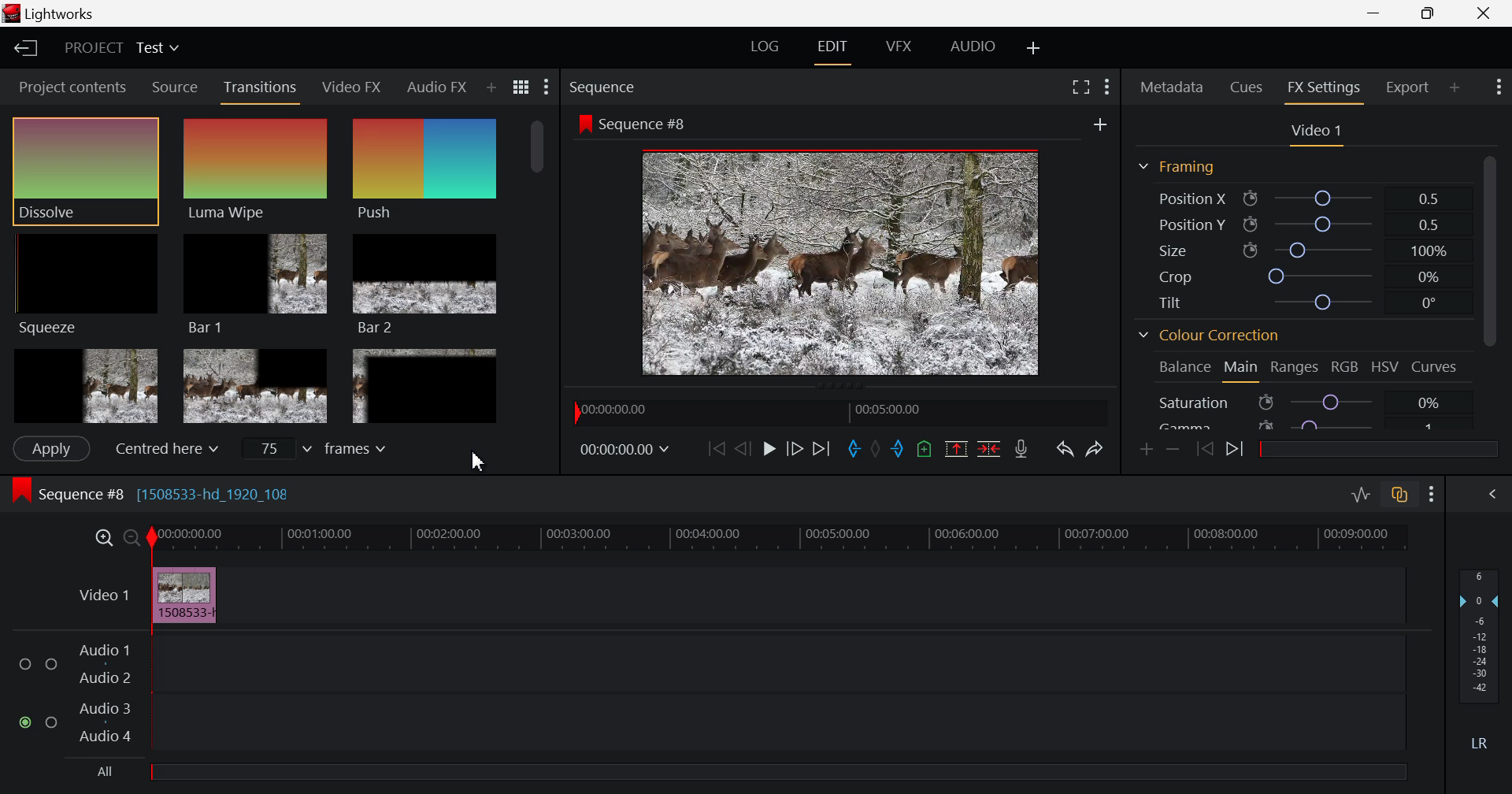 The height and width of the screenshot is (794, 1512). I want to click on Undo, so click(1064, 449).